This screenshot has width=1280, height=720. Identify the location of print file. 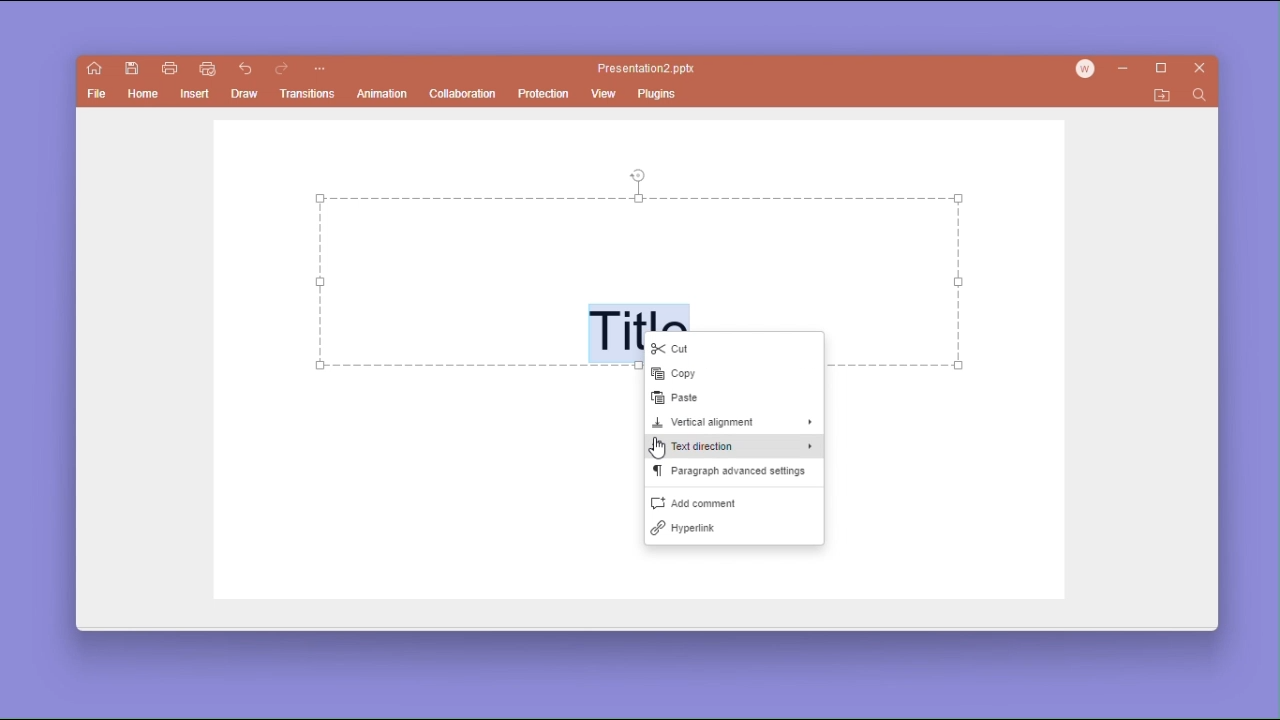
(169, 67).